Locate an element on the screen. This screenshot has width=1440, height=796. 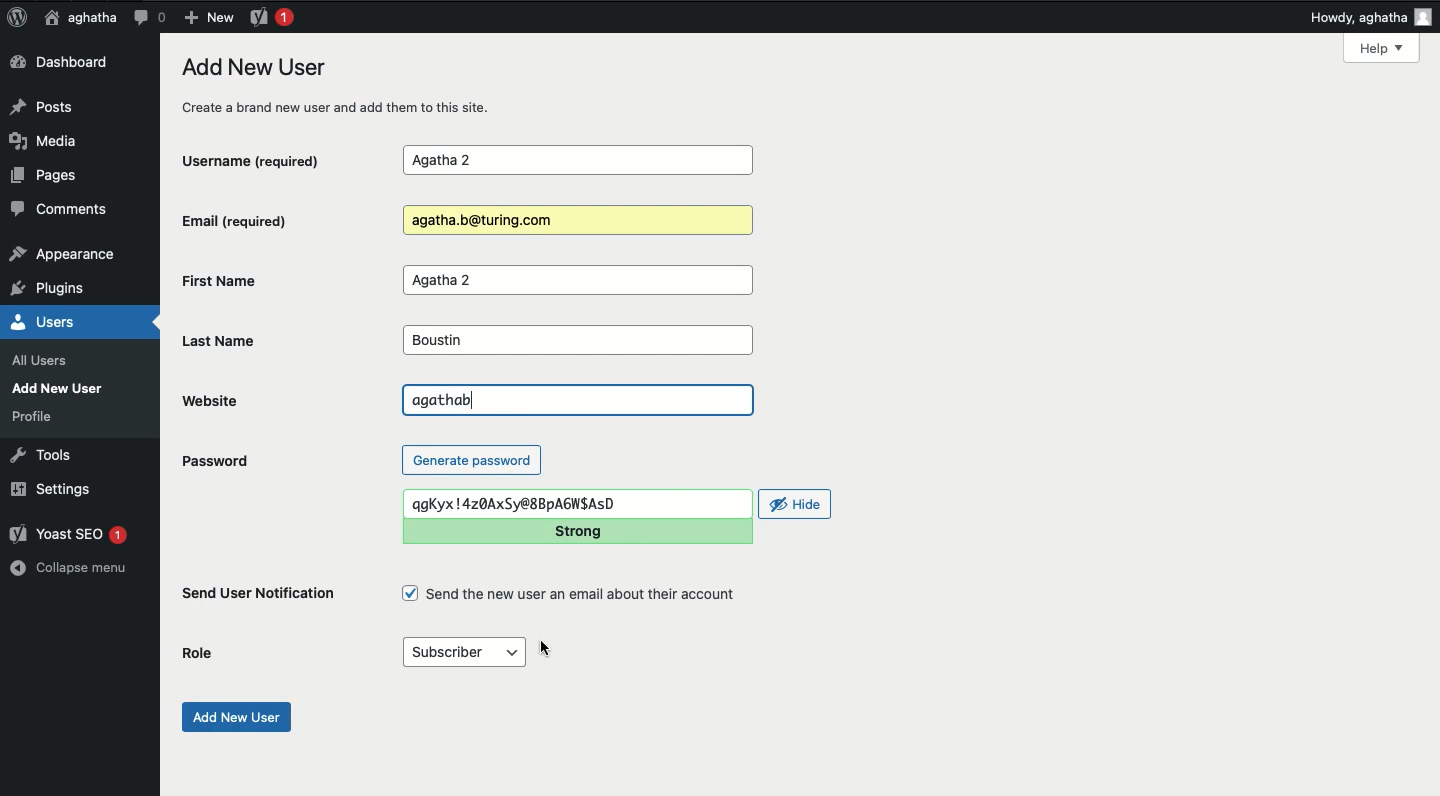
Generate password is located at coordinates (472, 459).